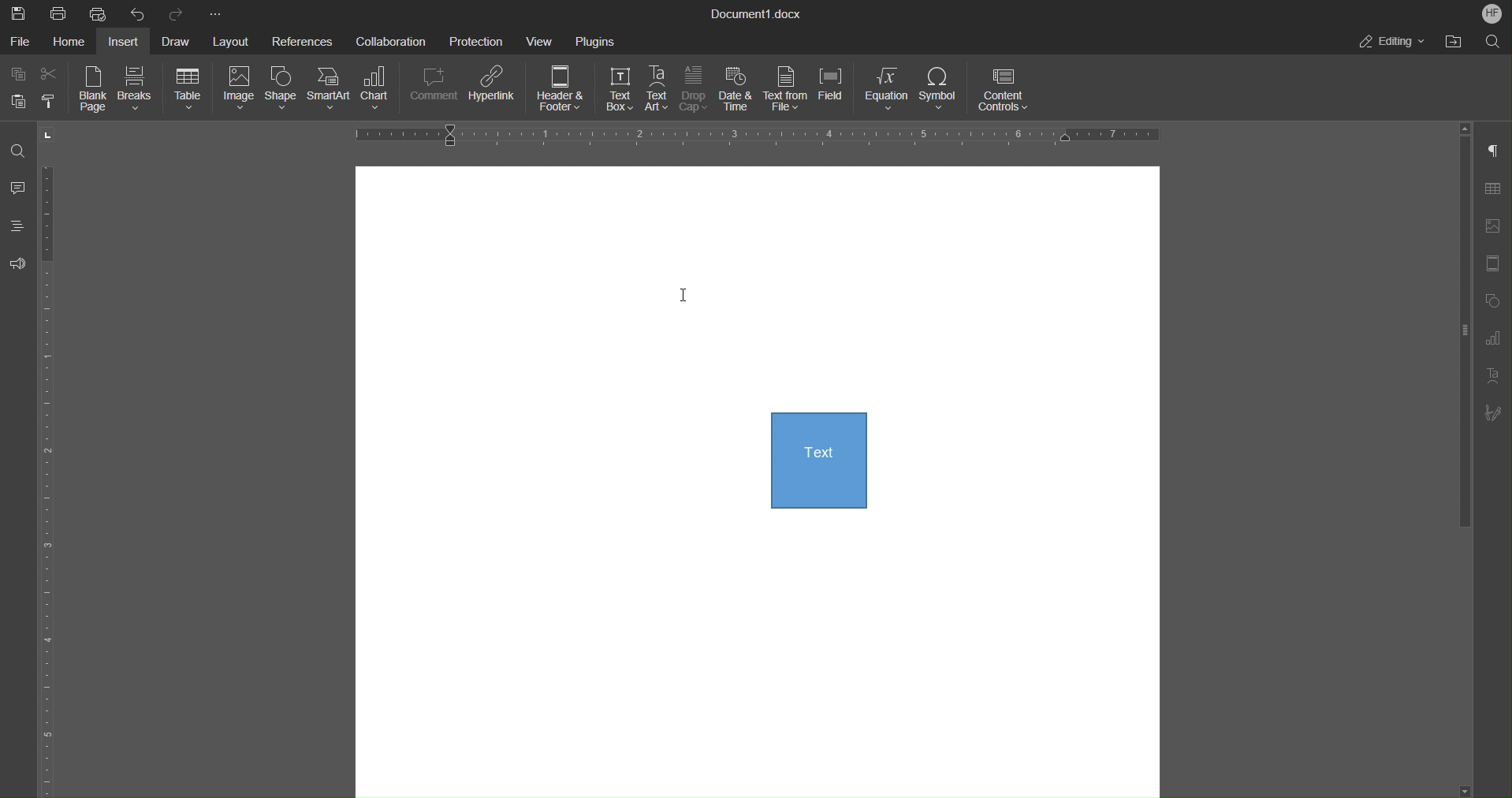 The image size is (1512, 798). Describe the element at coordinates (595, 40) in the screenshot. I see `Plugins` at that location.